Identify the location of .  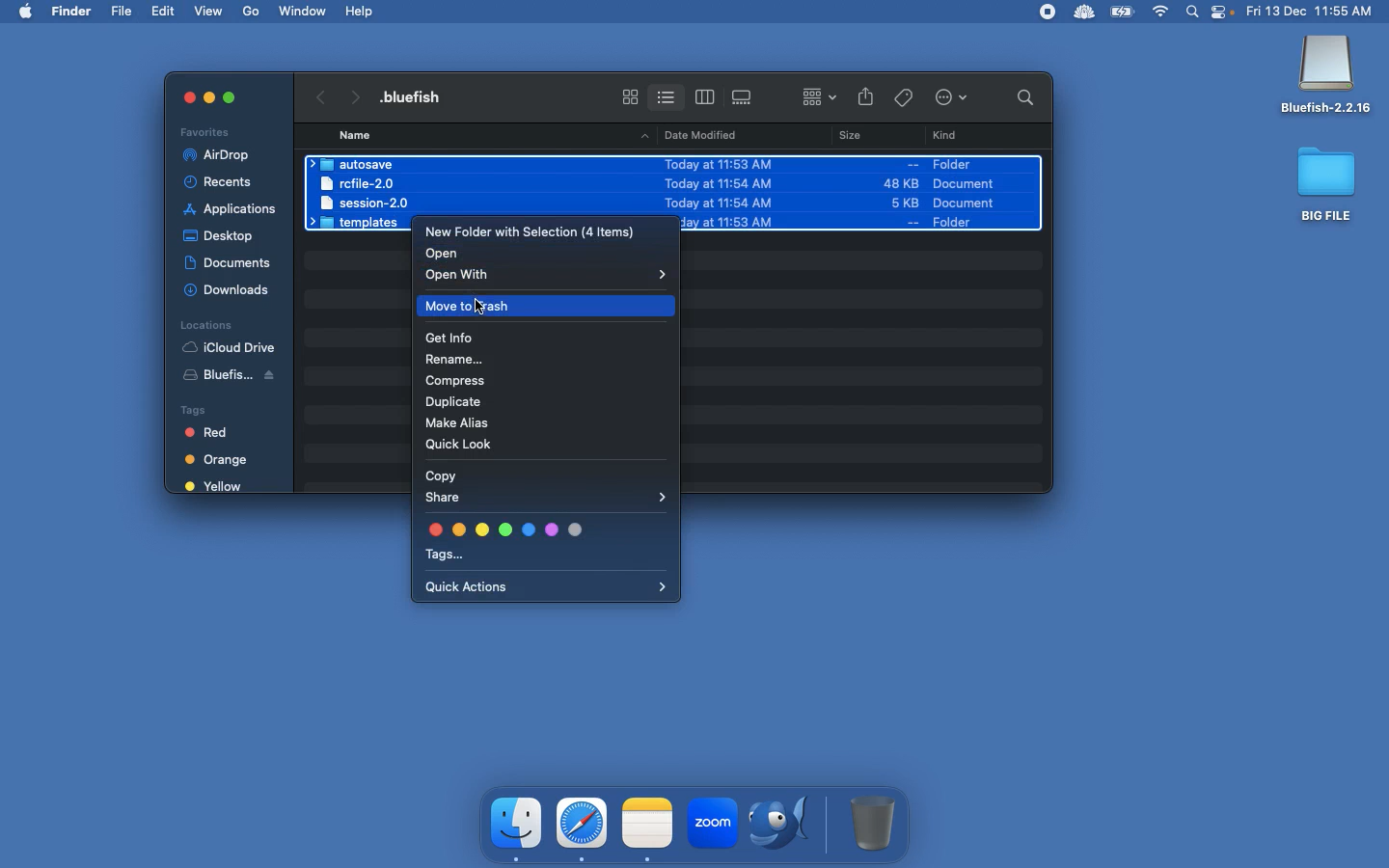
(230, 96).